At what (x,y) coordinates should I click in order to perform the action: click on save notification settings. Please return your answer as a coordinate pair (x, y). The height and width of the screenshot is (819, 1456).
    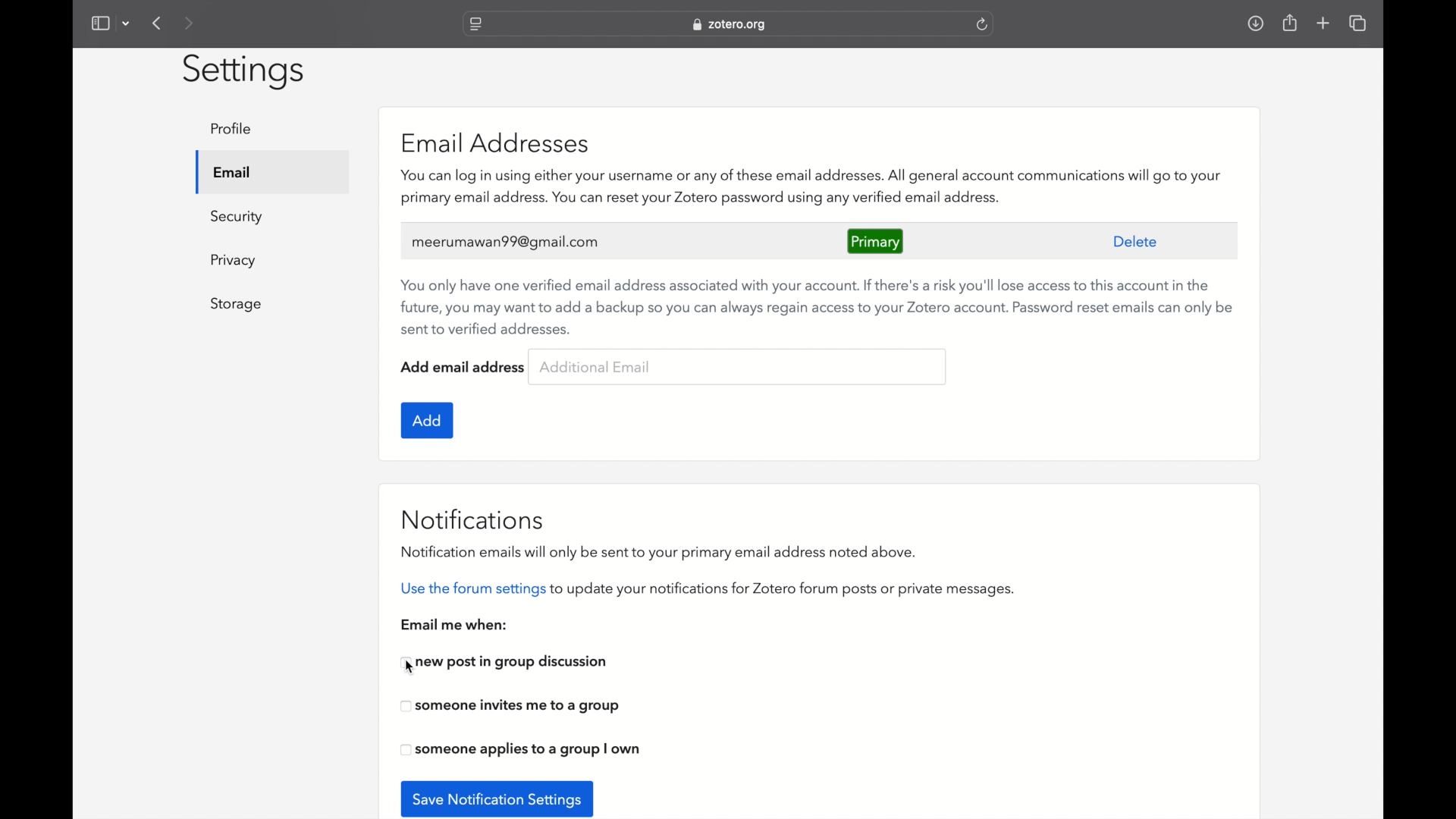
    Looking at the image, I should click on (497, 798).